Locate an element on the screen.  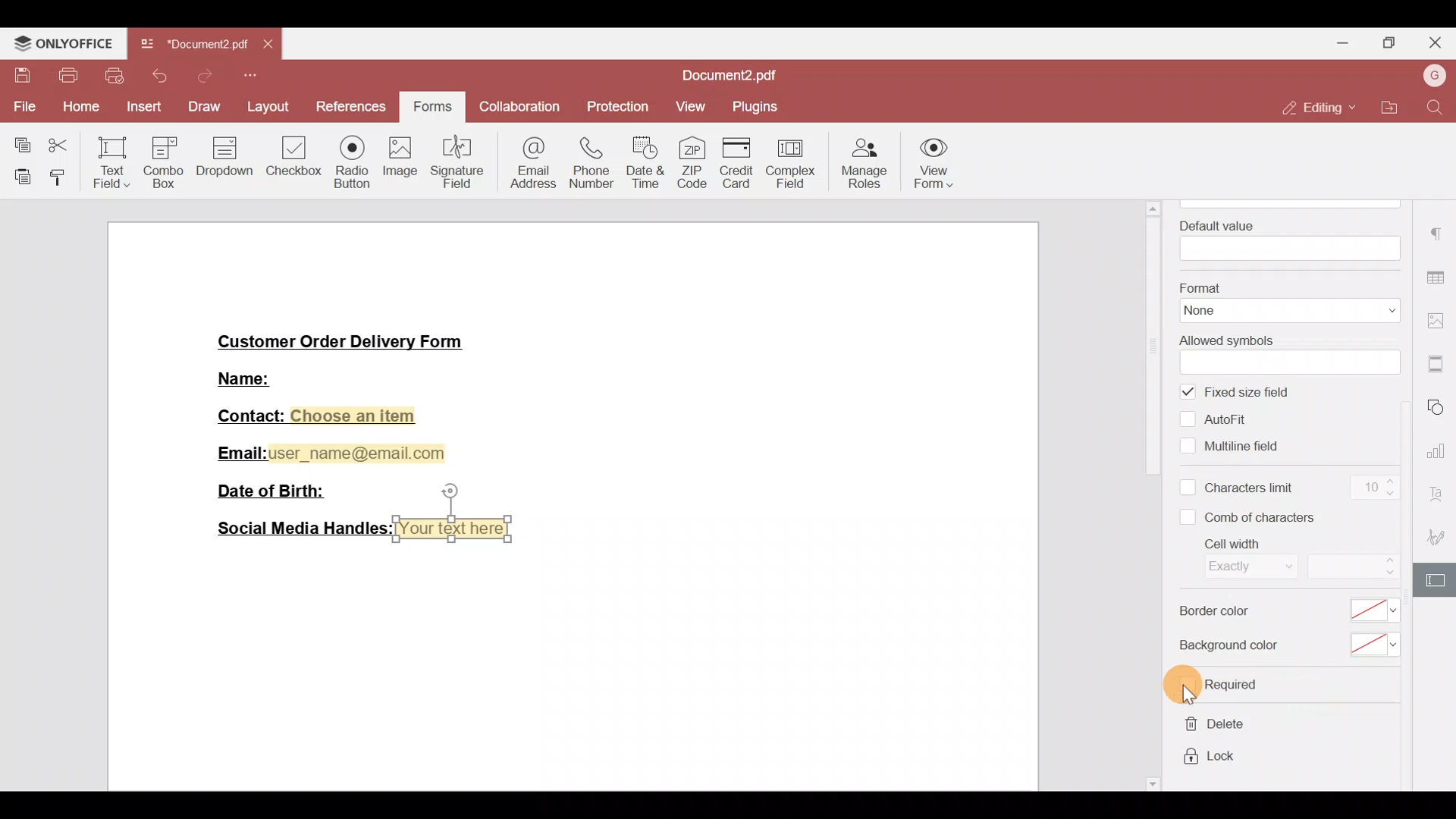
Phone number is located at coordinates (586, 163).